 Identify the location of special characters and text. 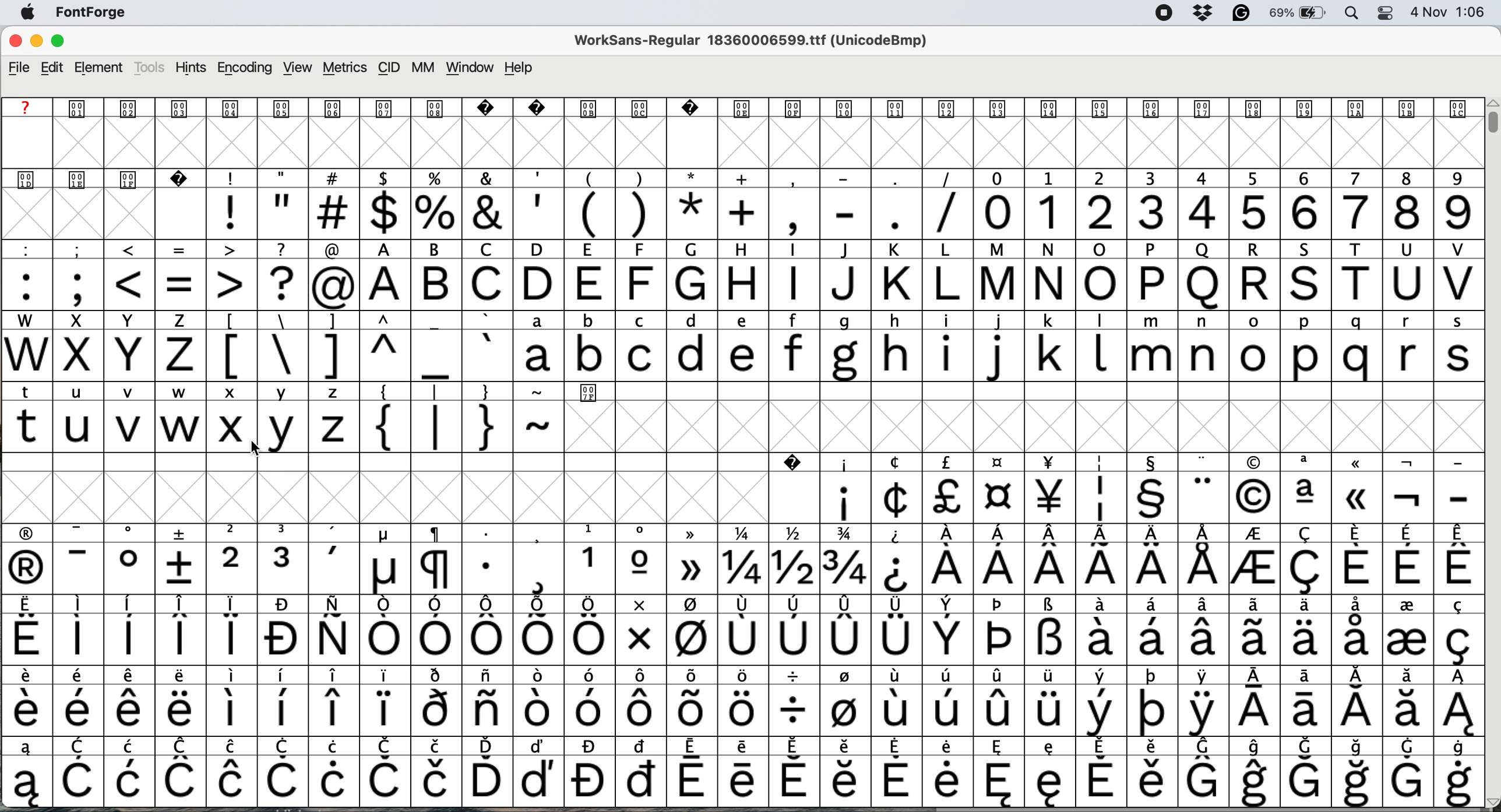
(747, 178).